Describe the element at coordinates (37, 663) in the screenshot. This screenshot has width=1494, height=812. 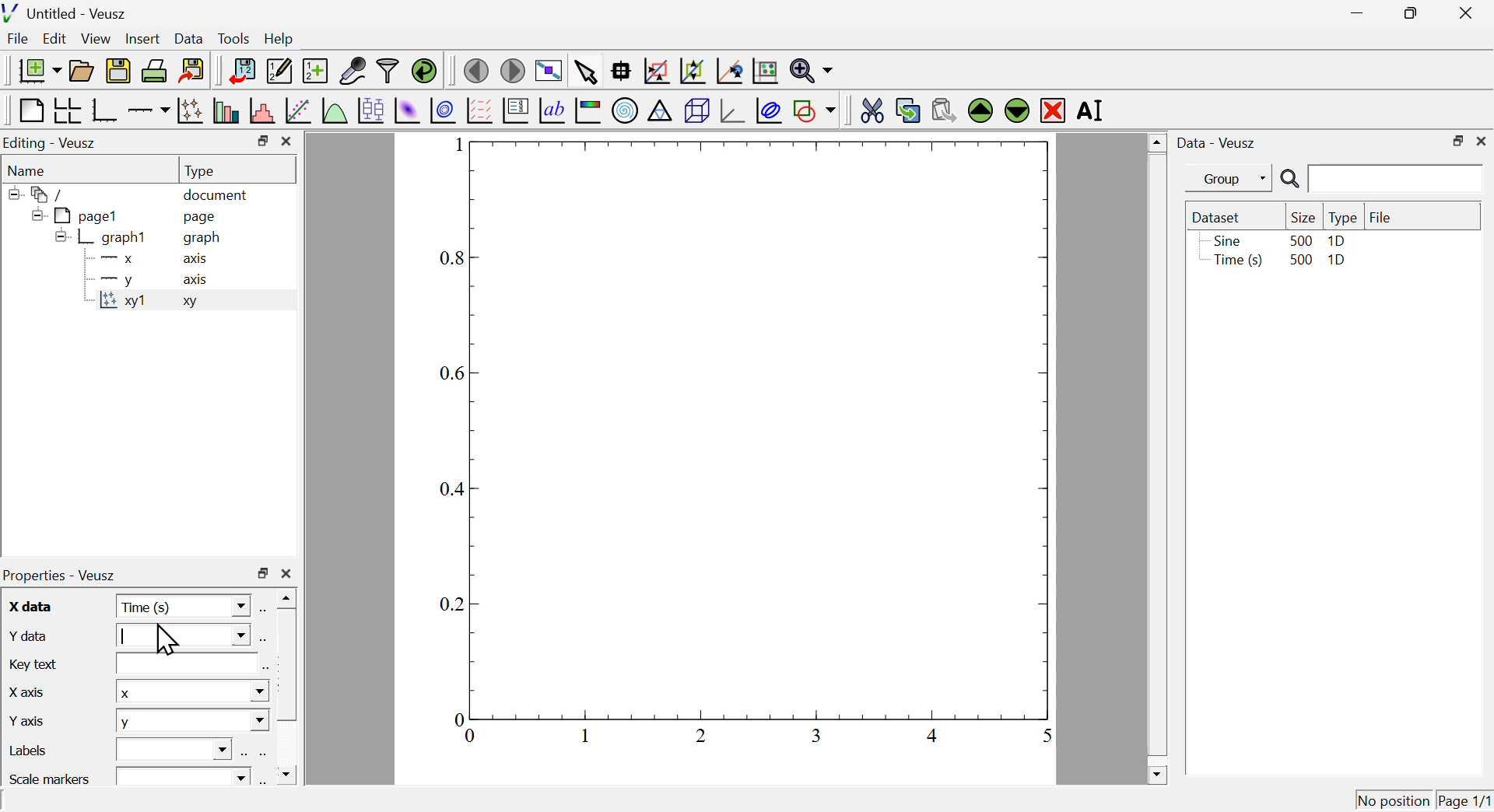
I see `key text` at that location.